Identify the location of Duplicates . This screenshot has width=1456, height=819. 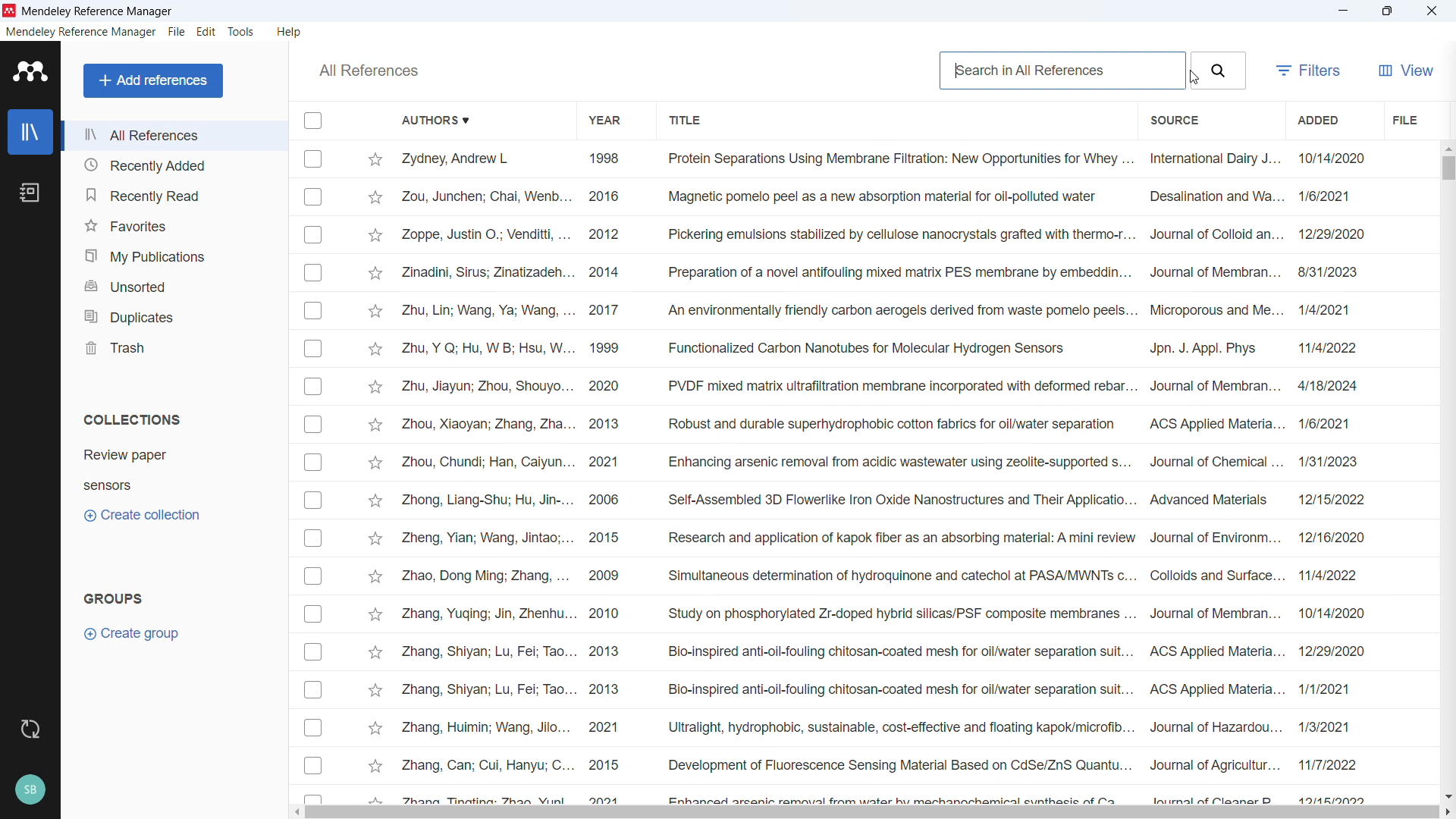
(173, 315).